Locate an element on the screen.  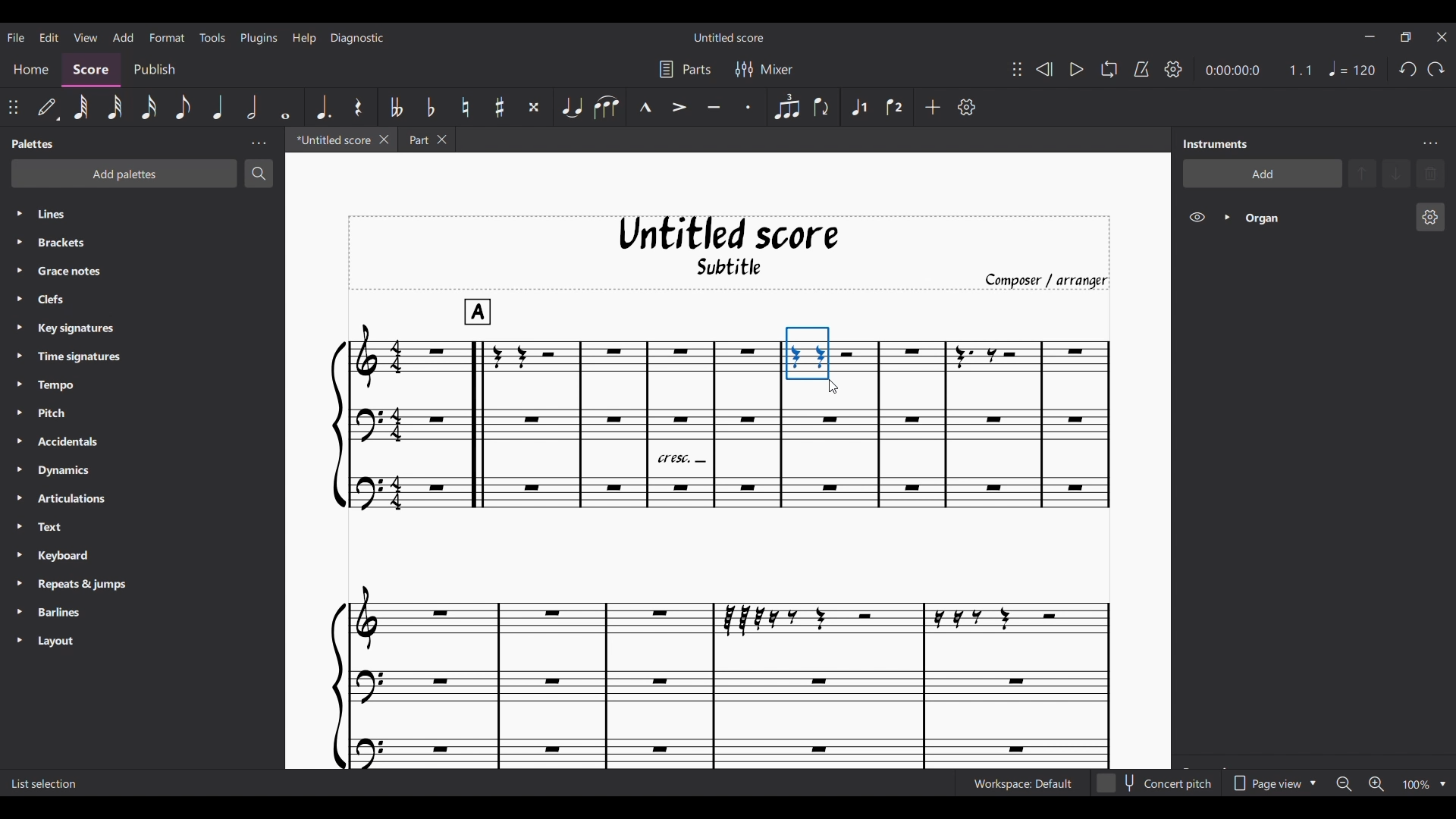
Flip direction is located at coordinates (821, 108).